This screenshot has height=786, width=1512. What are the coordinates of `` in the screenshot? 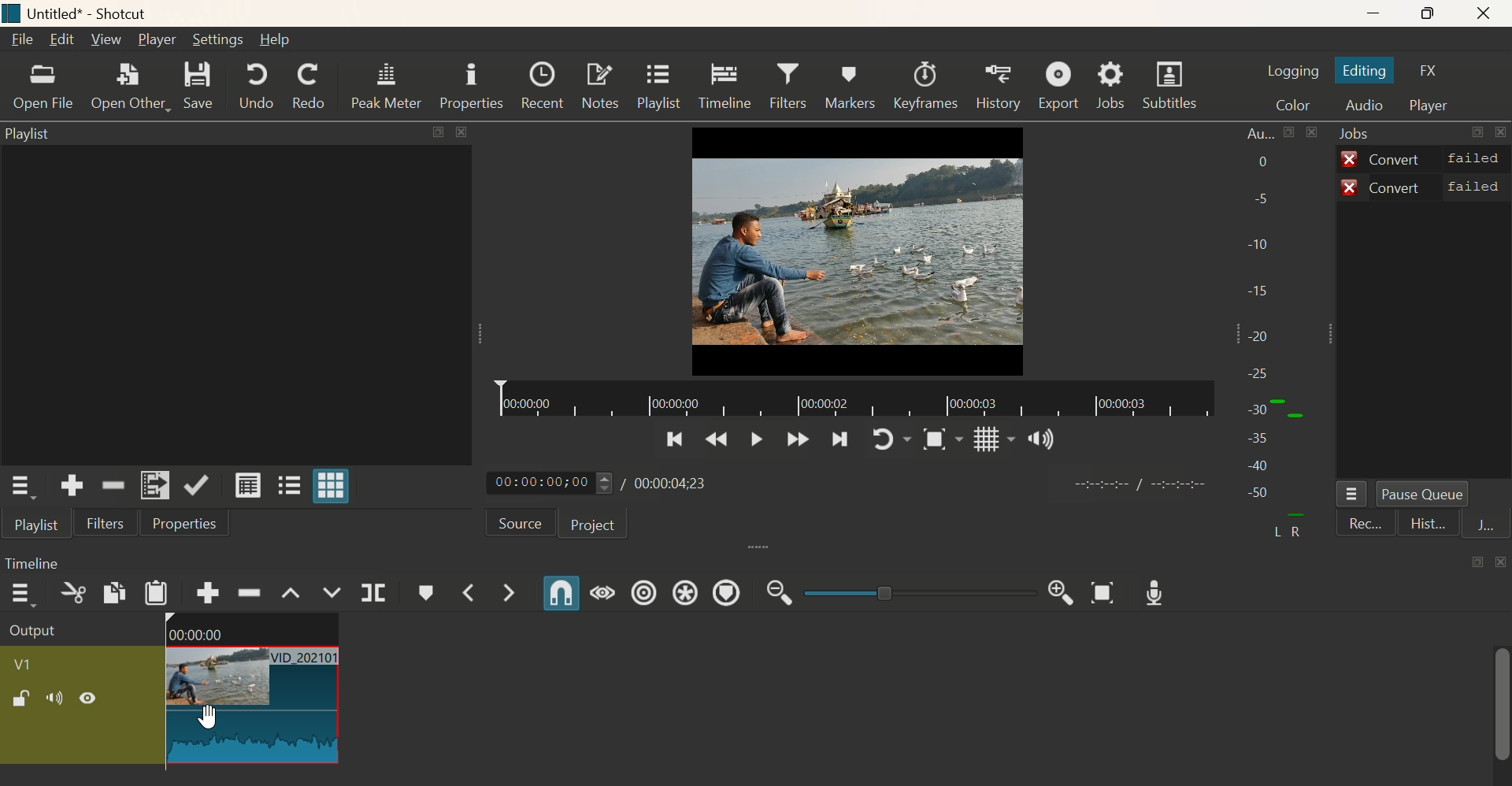 It's located at (1158, 593).